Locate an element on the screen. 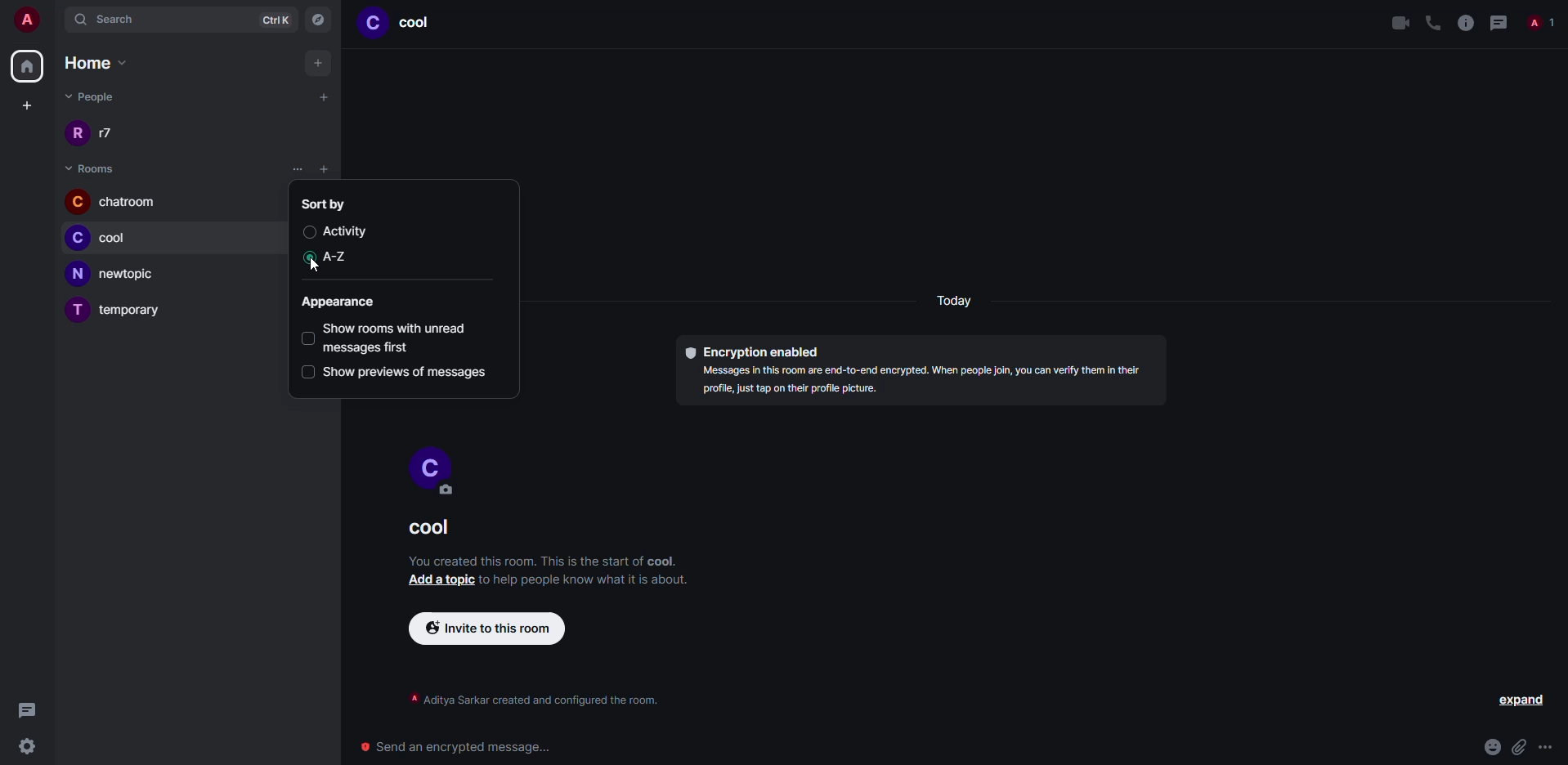 The width and height of the screenshot is (1568, 765). chatroom is located at coordinates (126, 200).